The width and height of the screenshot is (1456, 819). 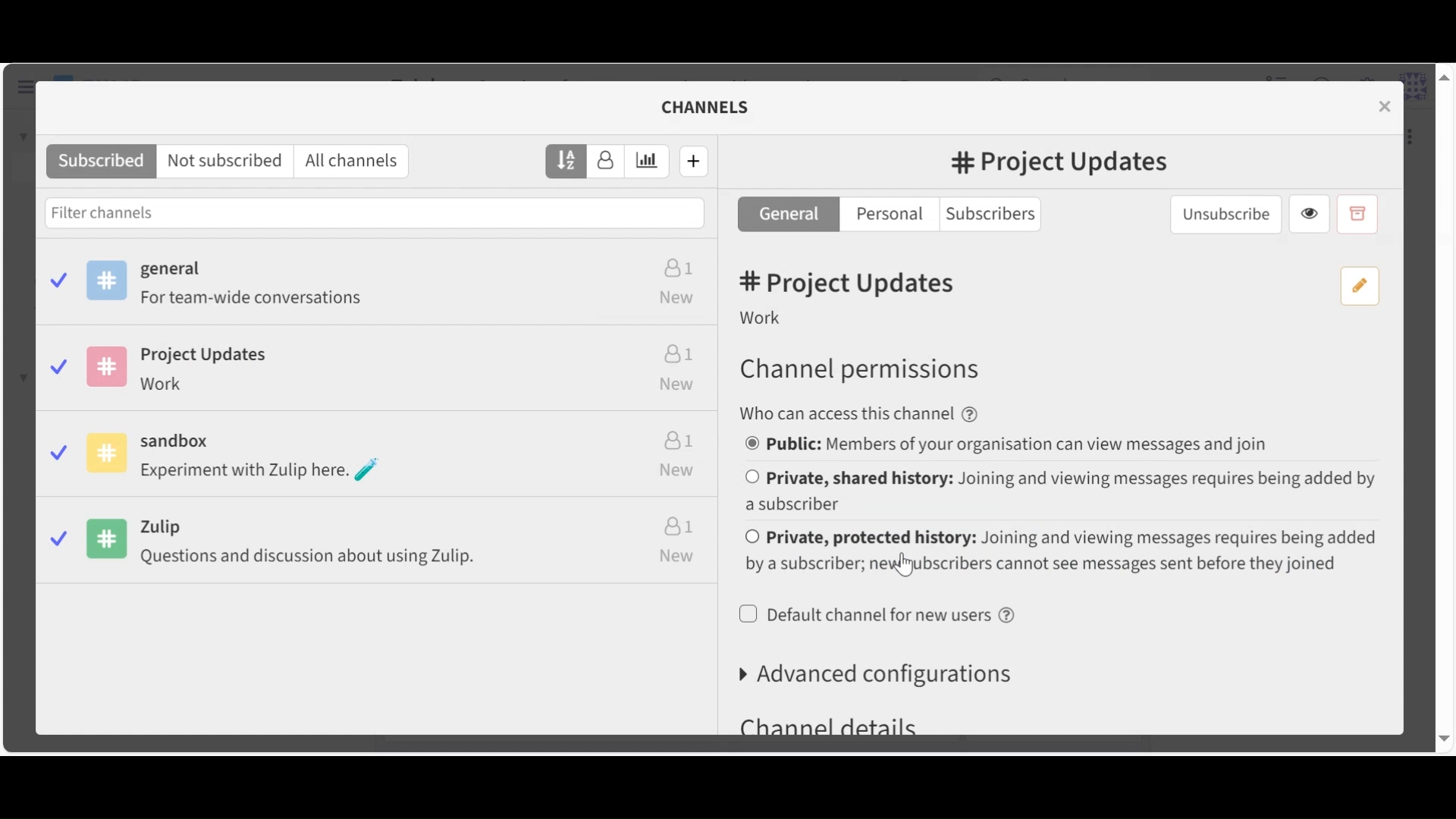 I want to click on zulip, so click(x=388, y=541).